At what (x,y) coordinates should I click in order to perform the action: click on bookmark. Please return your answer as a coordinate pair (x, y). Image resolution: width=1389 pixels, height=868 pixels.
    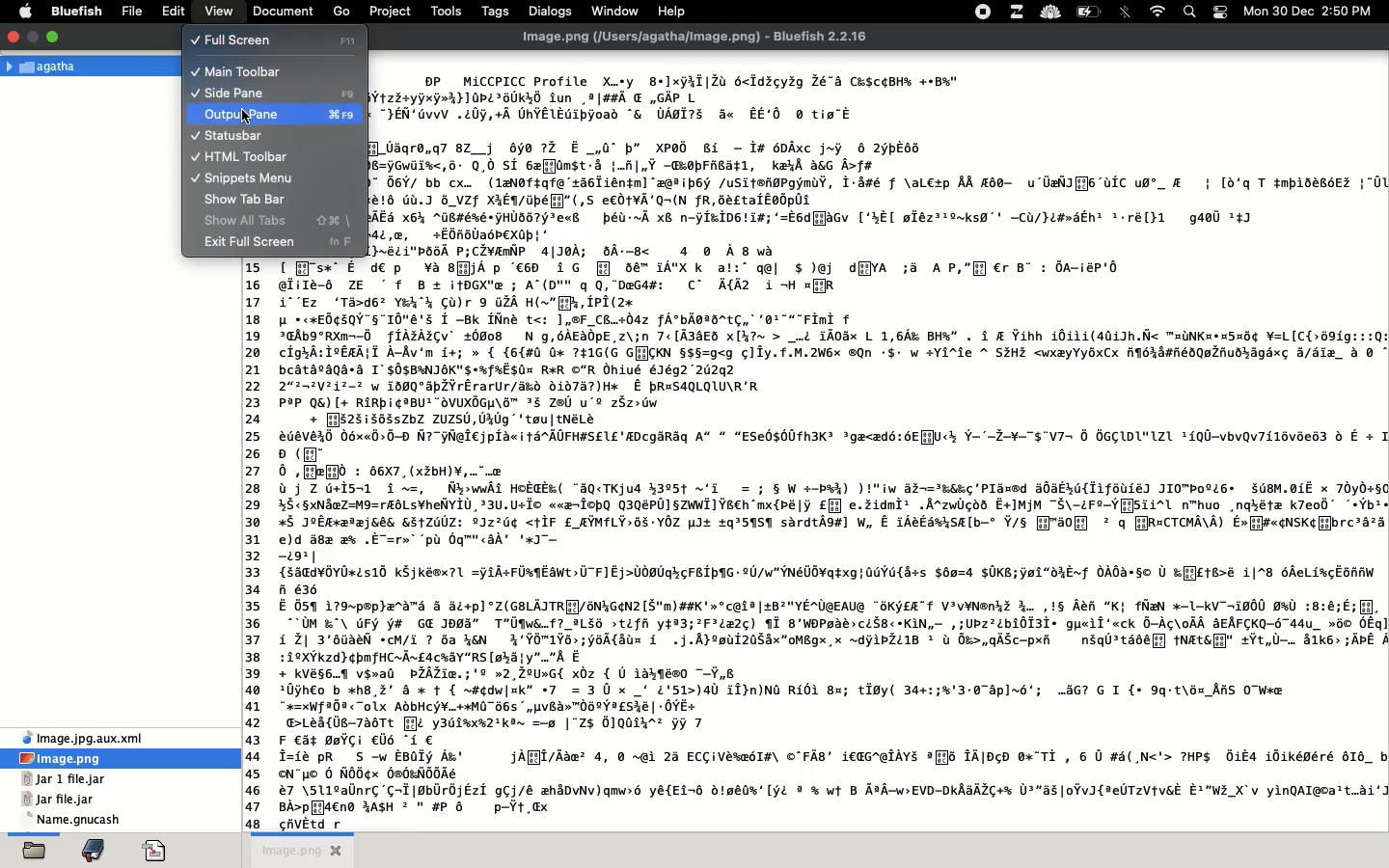
    Looking at the image, I should click on (93, 850).